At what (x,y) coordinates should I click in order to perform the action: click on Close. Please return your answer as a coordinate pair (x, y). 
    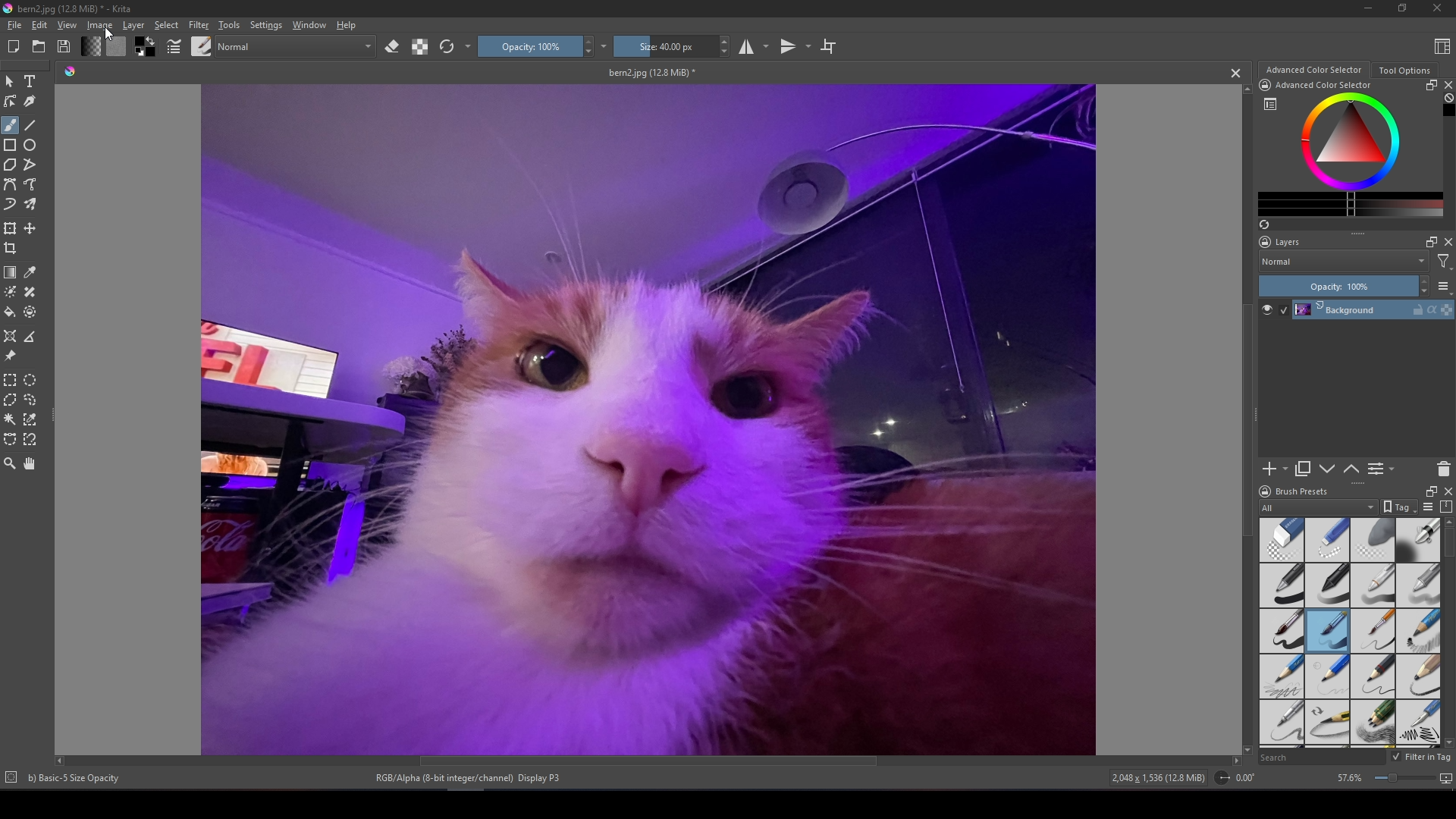
    Looking at the image, I should click on (1438, 8).